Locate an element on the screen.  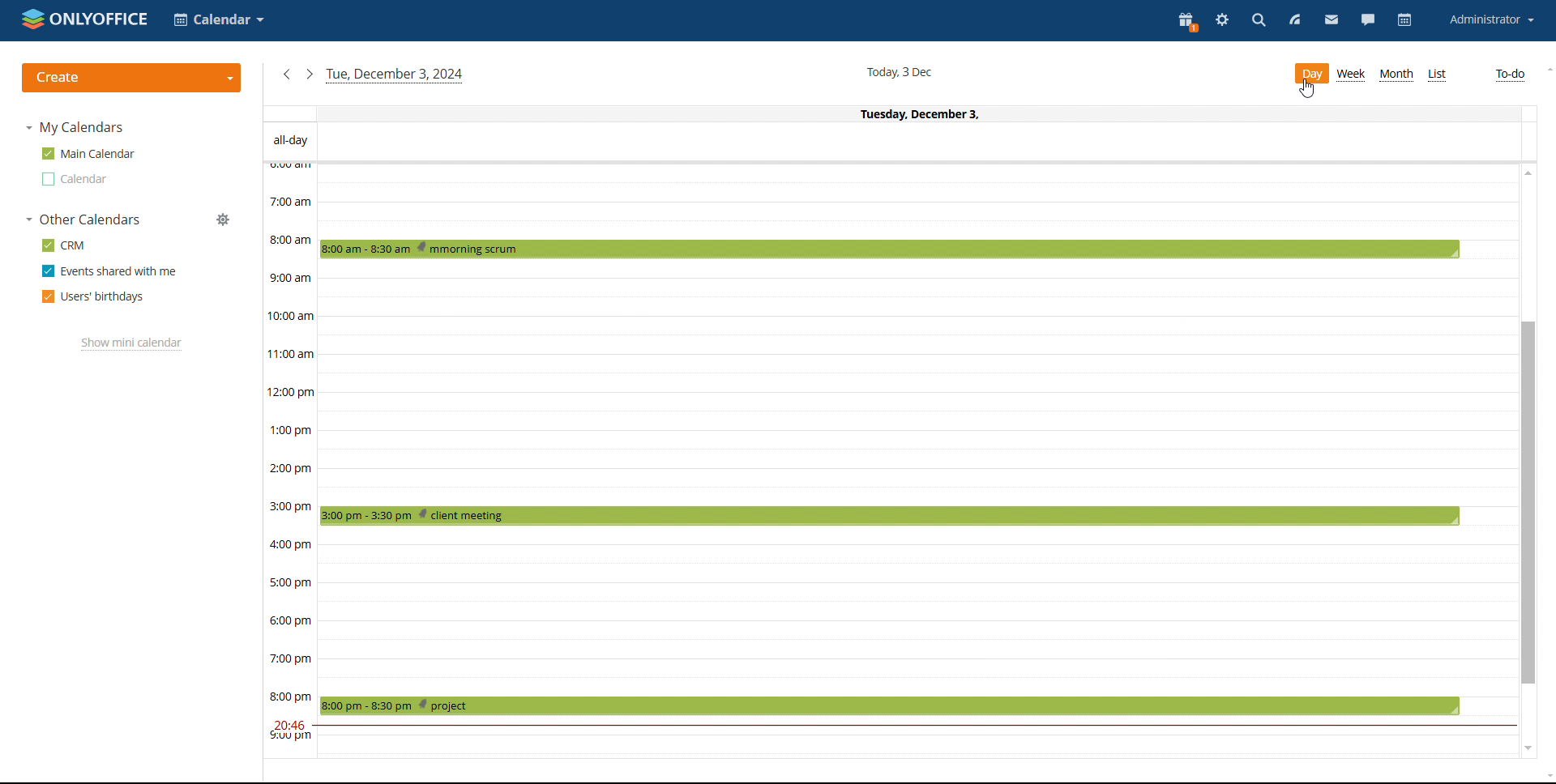
account is located at coordinates (1491, 19).